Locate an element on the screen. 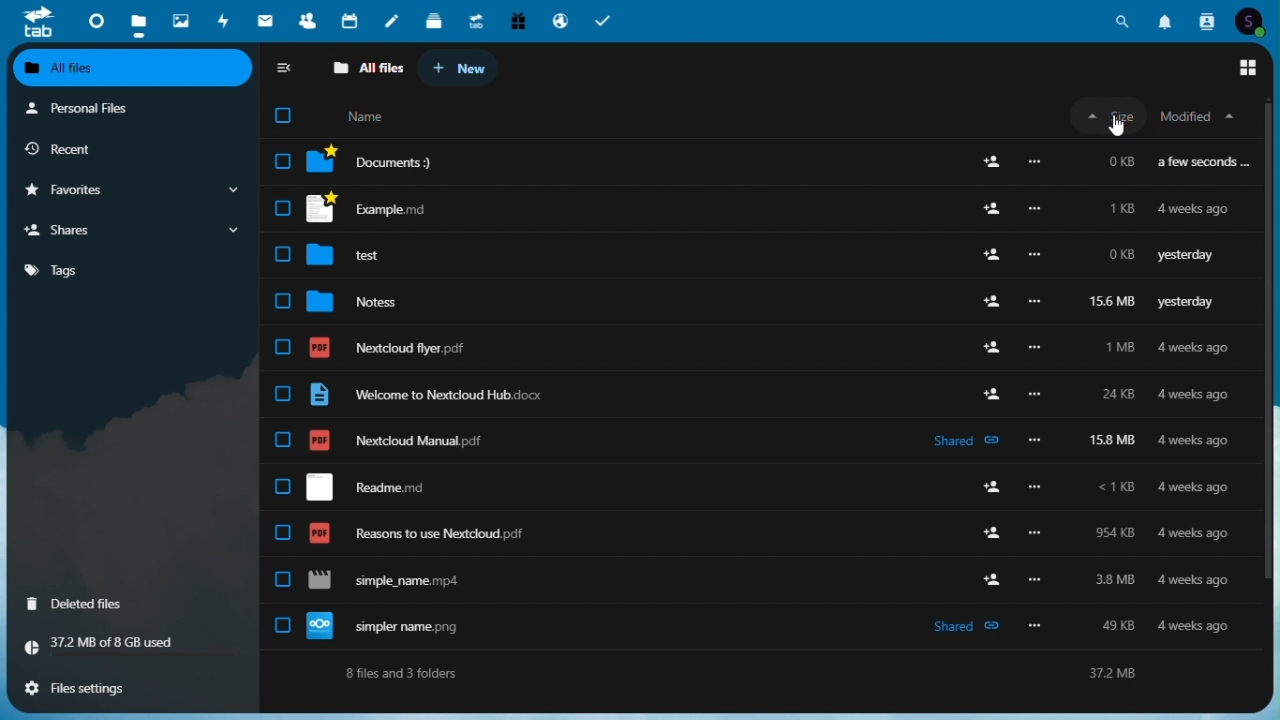 The image size is (1280, 720). files is located at coordinates (138, 23).